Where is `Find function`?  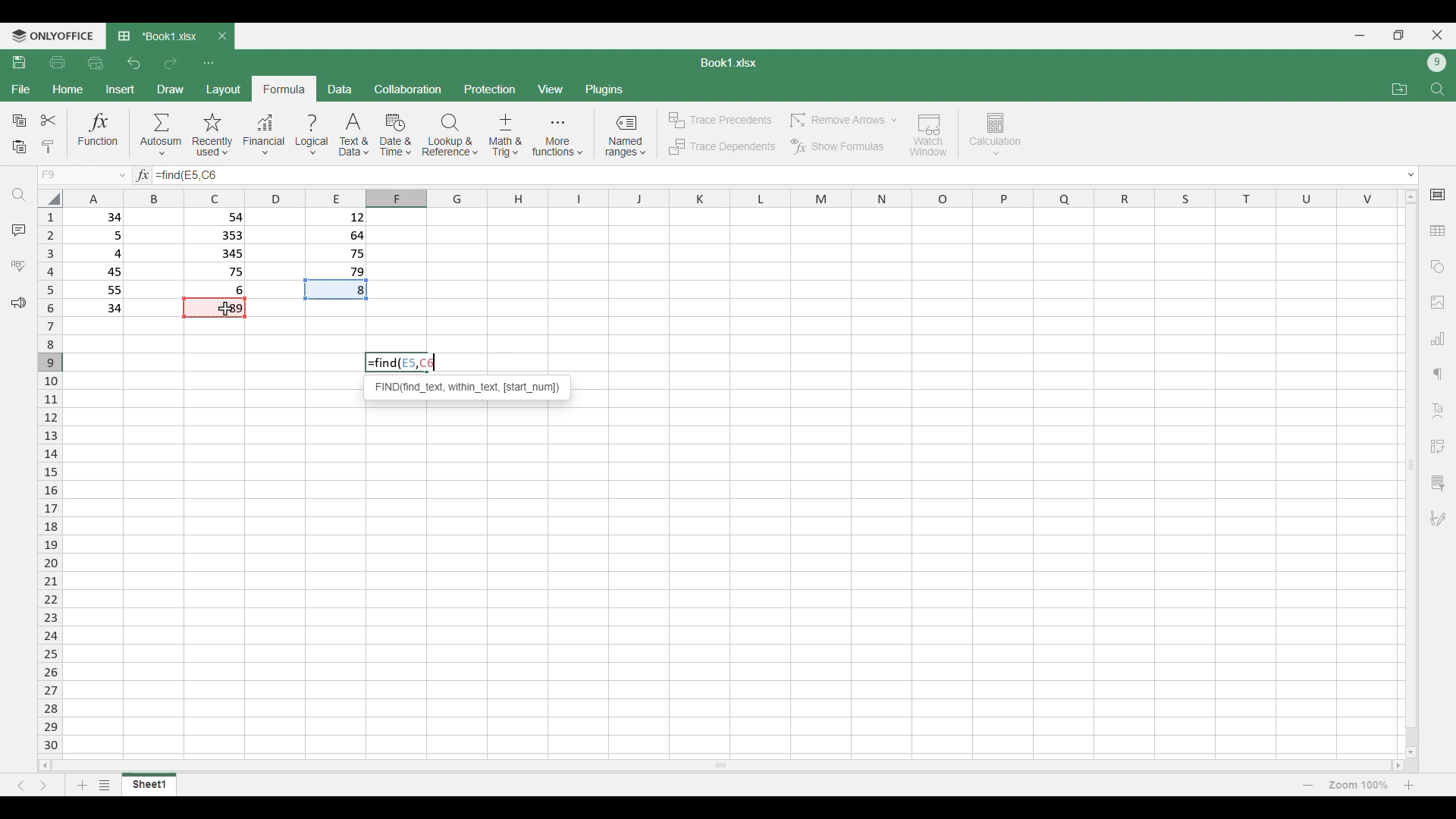 Find function is located at coordinates (382, 362).